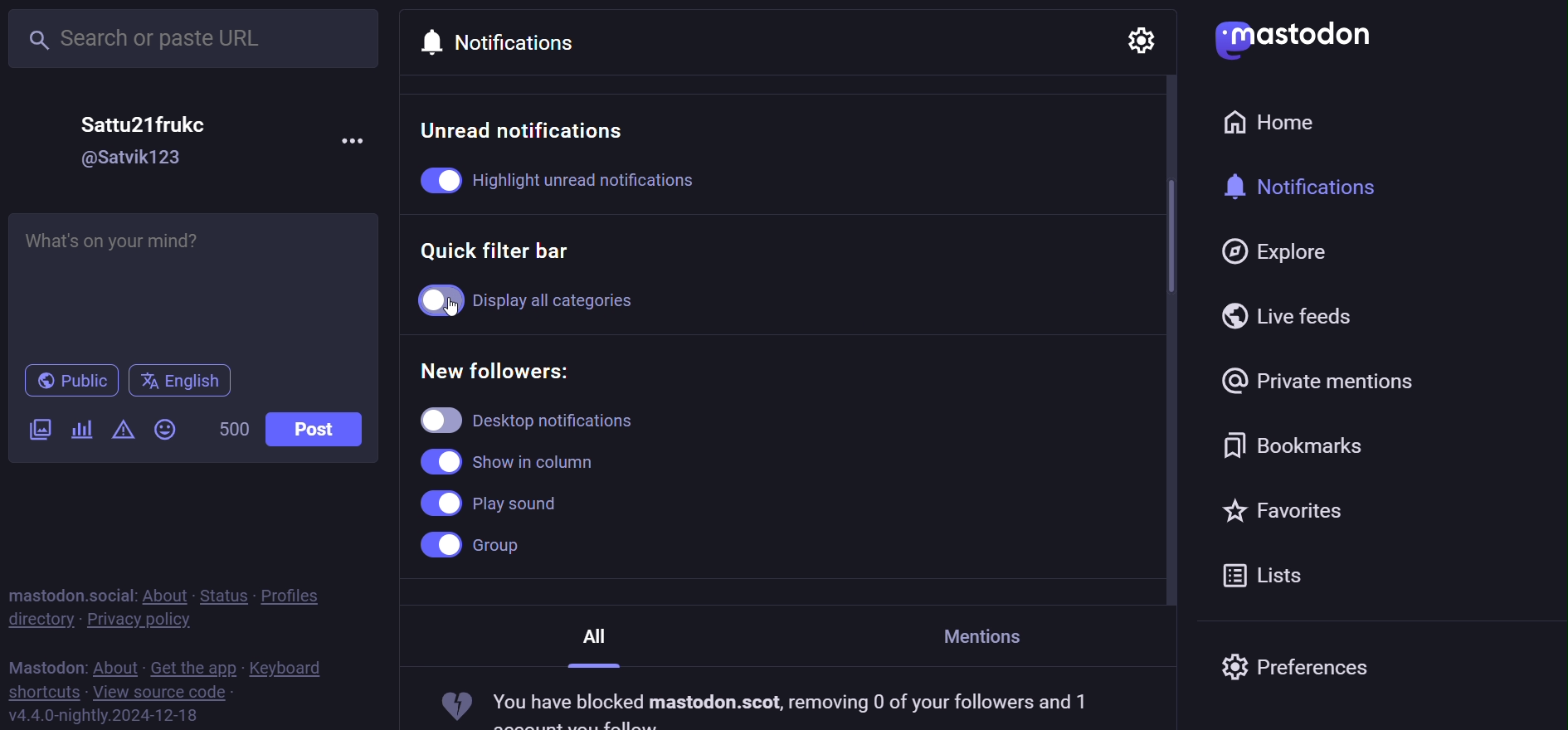 This screenshot has width=1568, height=730. Describe the element at coordinates (38, 431) in the screenshot. I see `image/video` at that location.